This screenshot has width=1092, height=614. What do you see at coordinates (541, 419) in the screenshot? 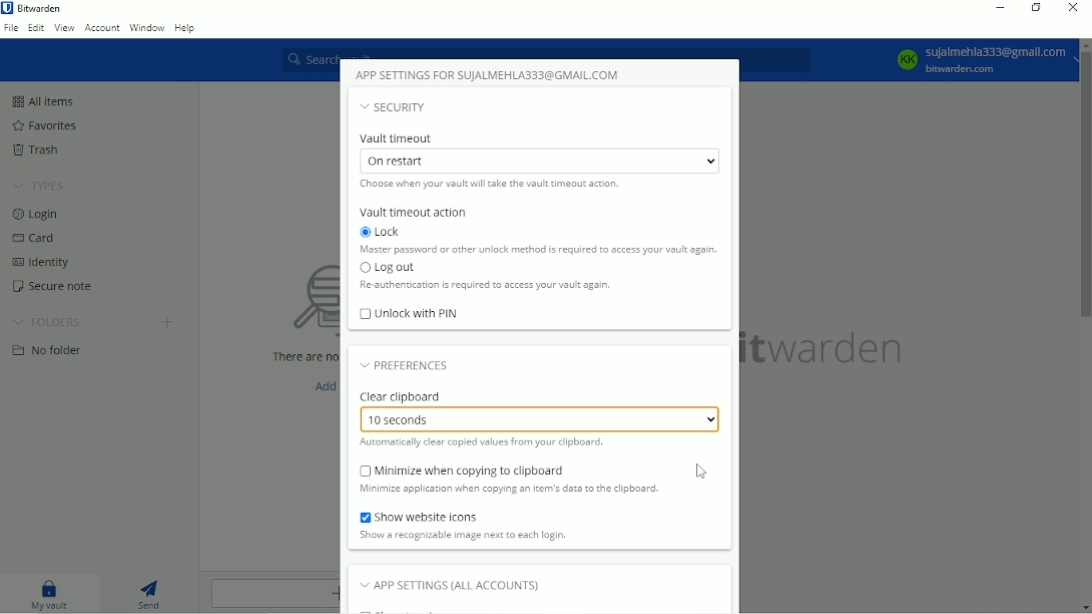
I see `10 seconds` at bounding box center [541, 419].